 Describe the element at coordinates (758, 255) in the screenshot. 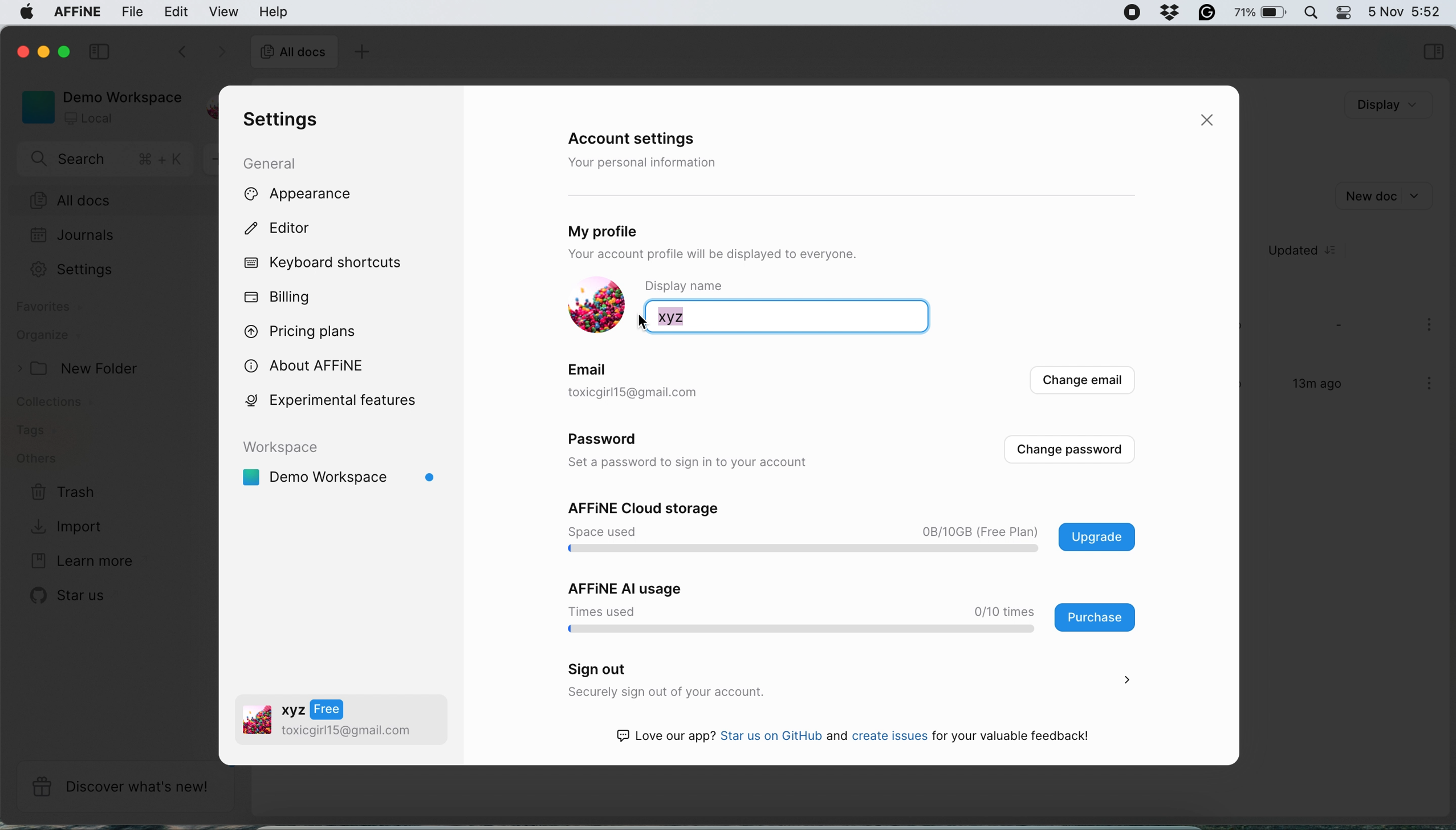

I see `Your account profile will be displayed to everyone.` at that location.